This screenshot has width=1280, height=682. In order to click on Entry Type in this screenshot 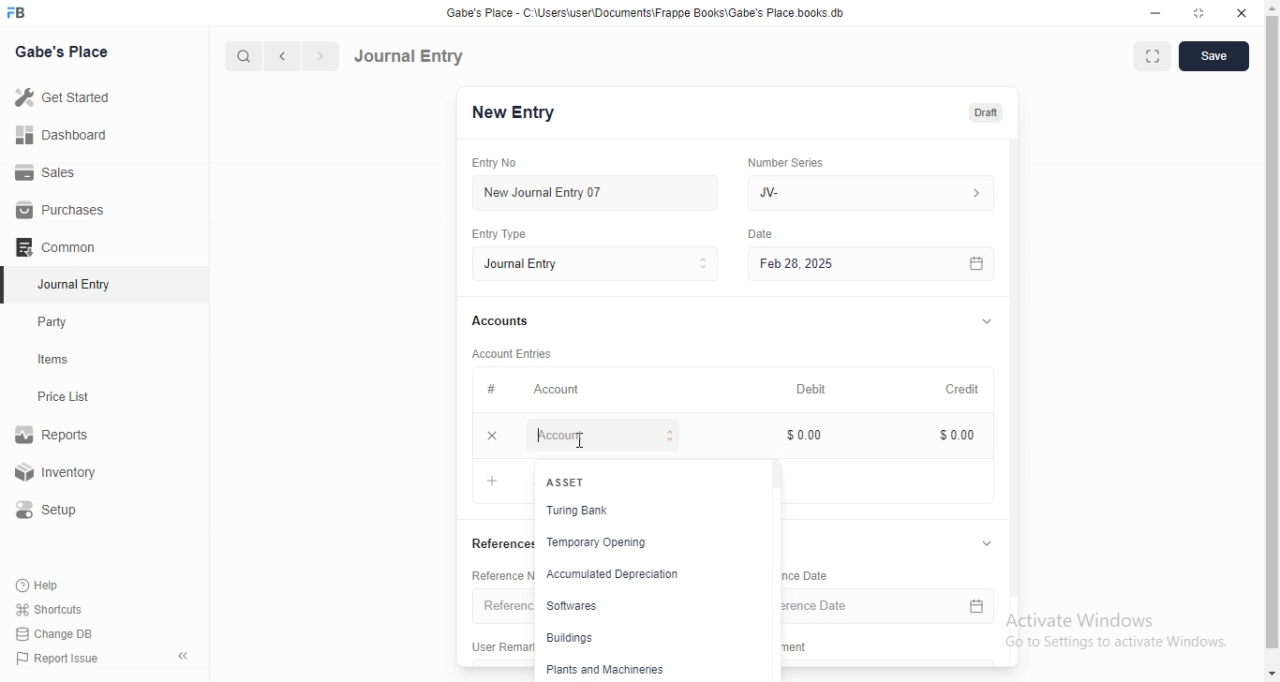, I will do `click(509, 234)`.